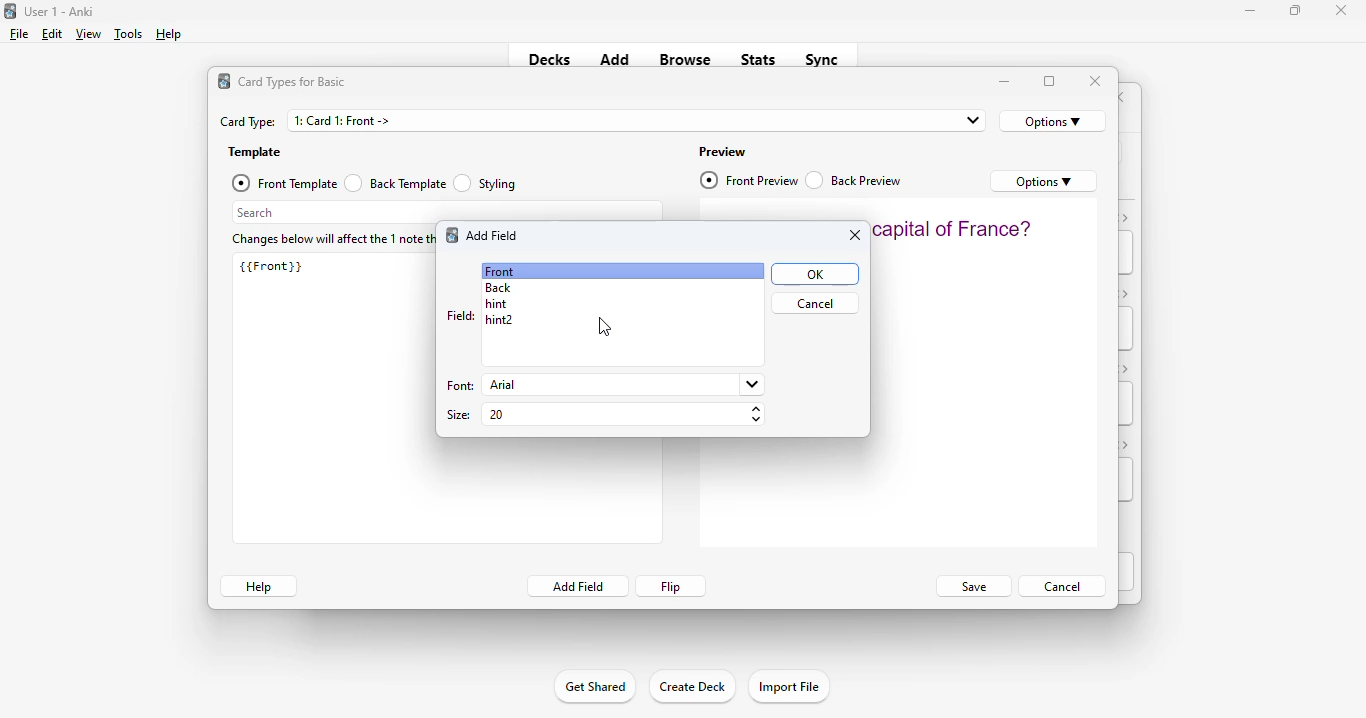 The width and height of the screenshot is (1366, 718). Describe the element at coordinates (1062, 585) in the screenshot. I see `cancel` at that location.